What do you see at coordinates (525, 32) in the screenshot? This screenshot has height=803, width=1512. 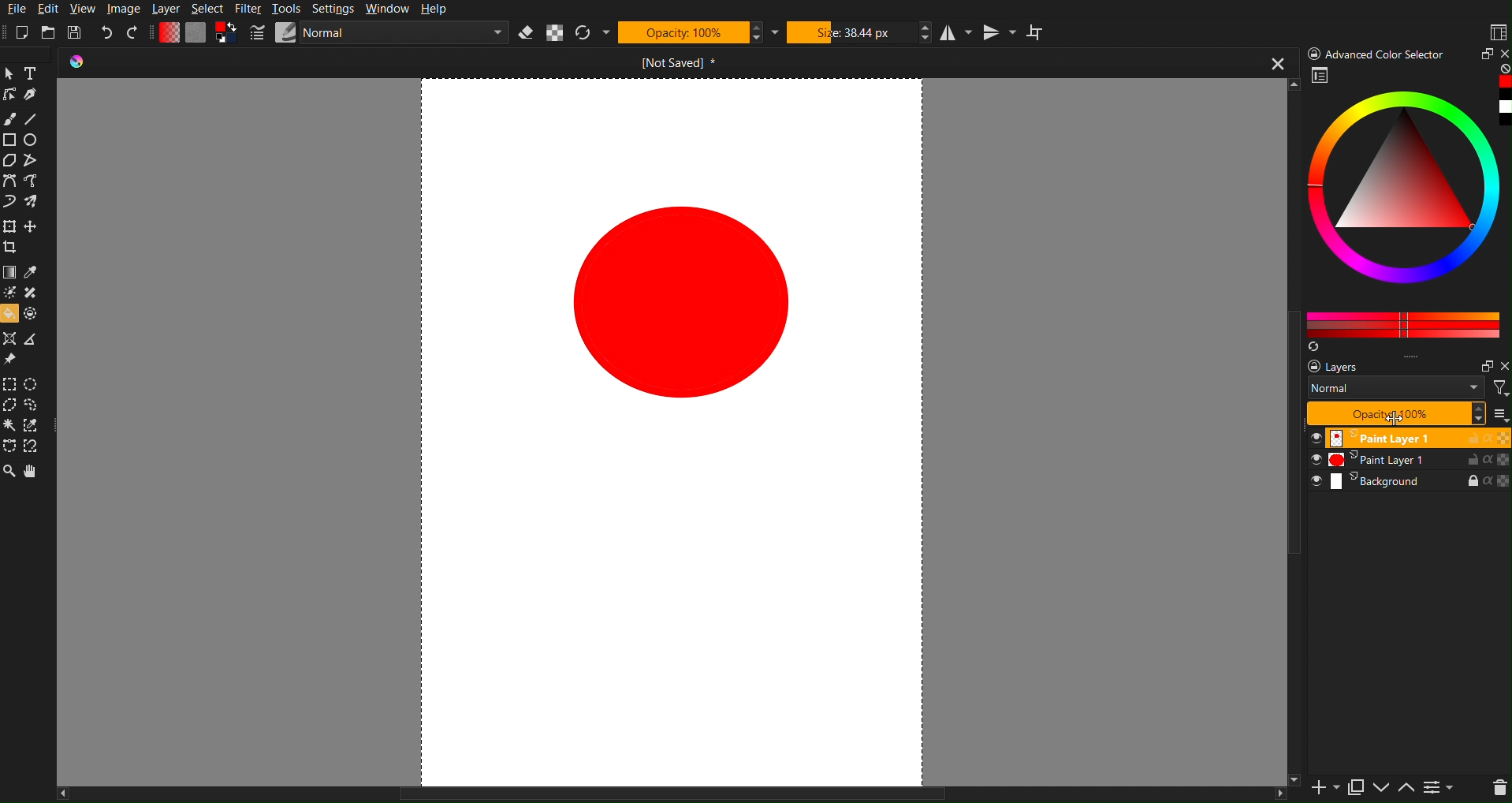 I see `Erase` at bounding box center [525, 32].